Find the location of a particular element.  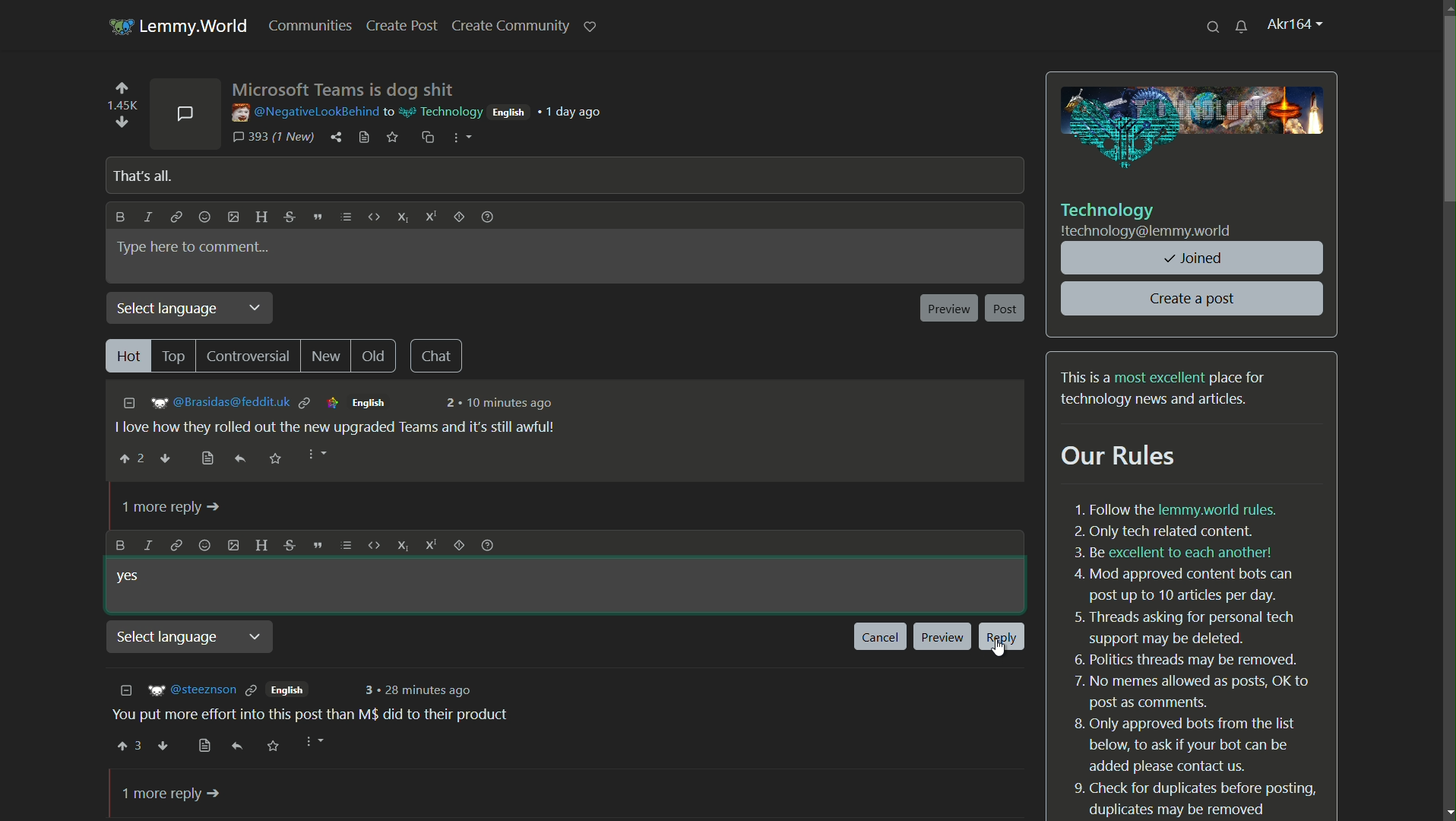

bookmark is located at coordinates (206, 458).